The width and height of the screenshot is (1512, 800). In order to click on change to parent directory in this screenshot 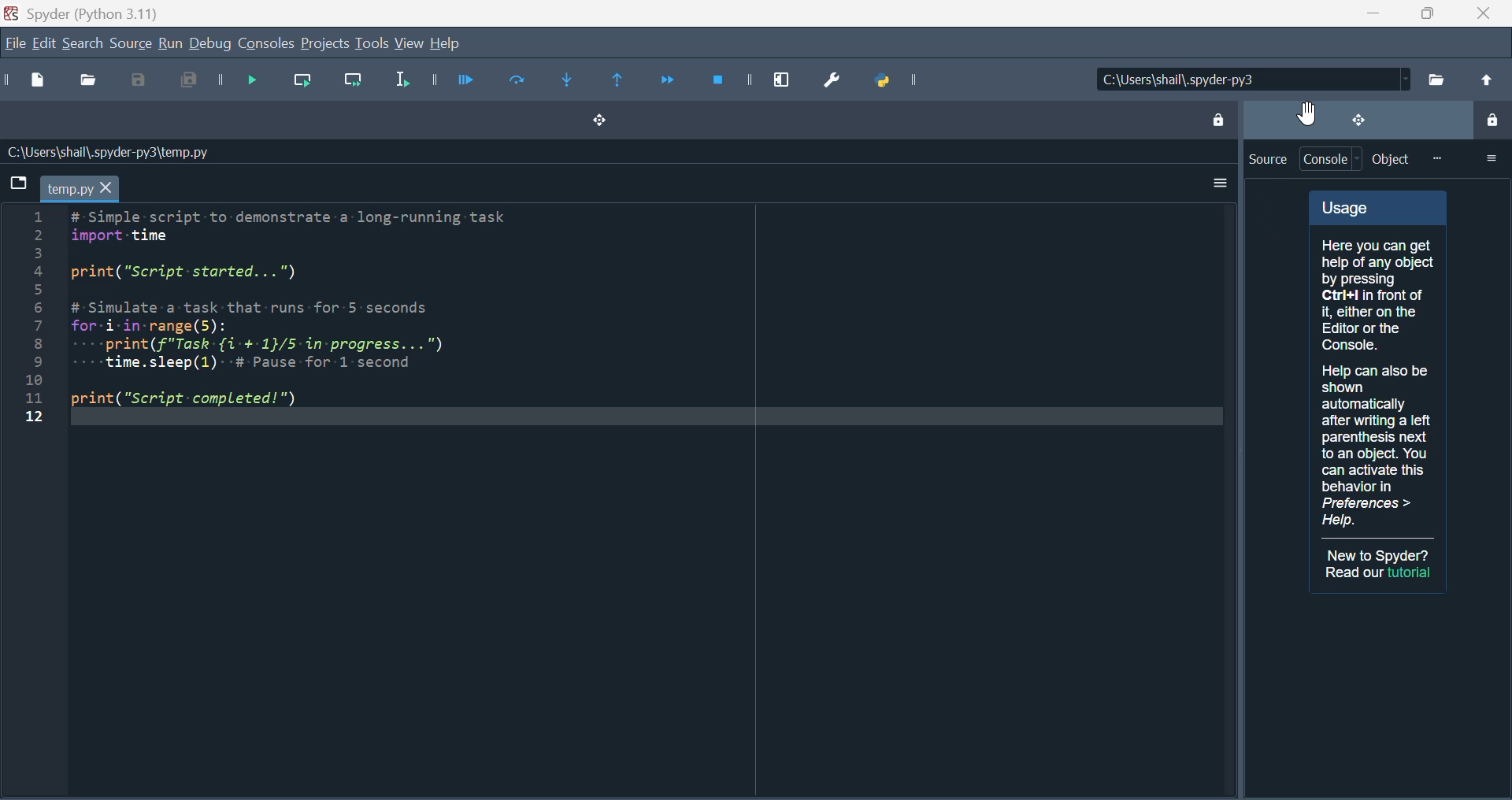, I will do `click(1485, 80)`.